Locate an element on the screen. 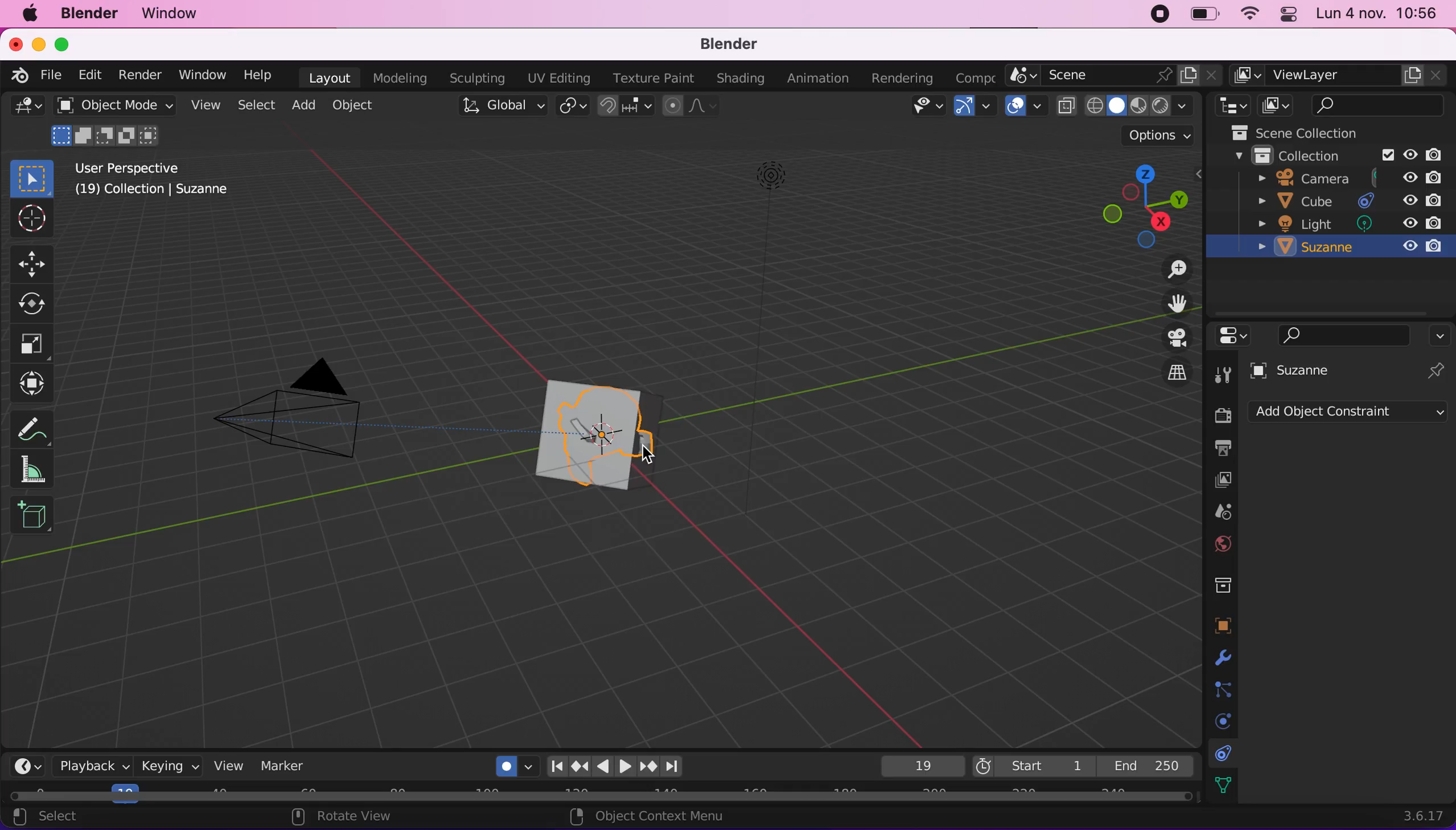 The height and width of the screenshot is (830, 1456). blender is located at coordinates (730, 46).